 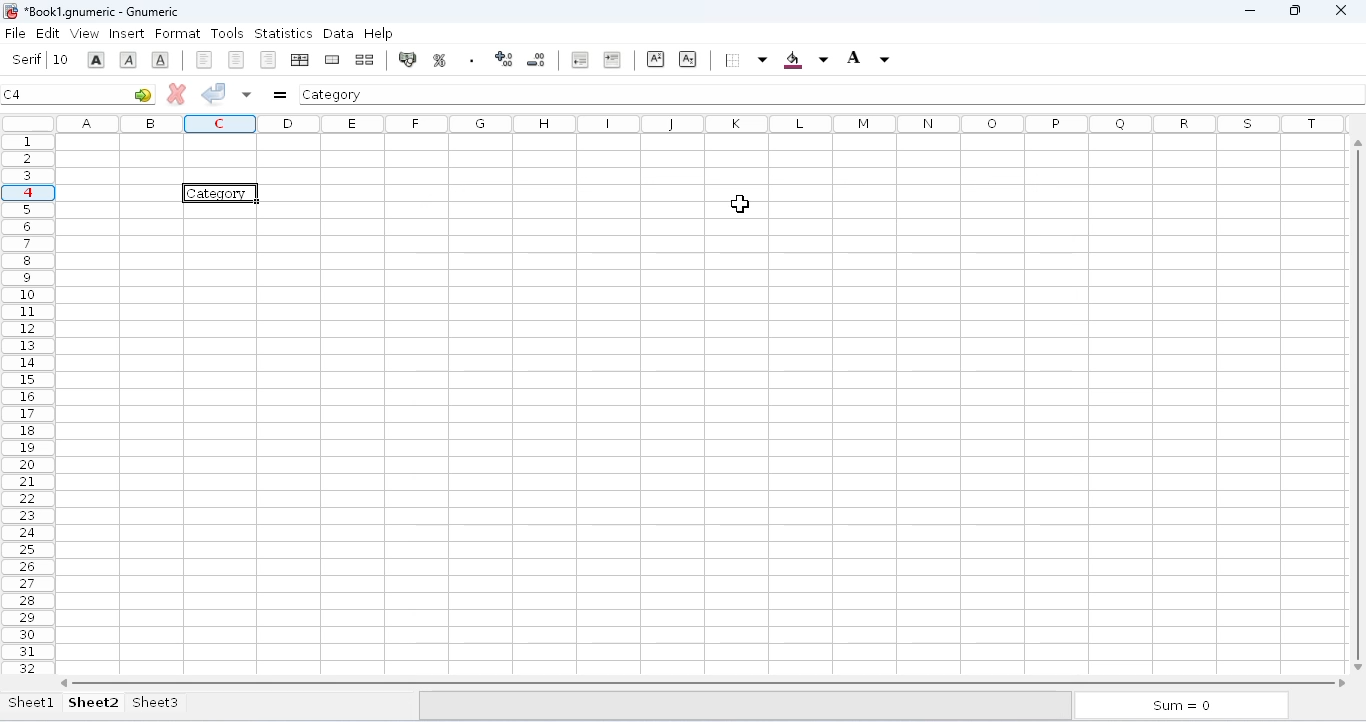 I want to click on center horizontally across the selection, so click(x=332, y=60).